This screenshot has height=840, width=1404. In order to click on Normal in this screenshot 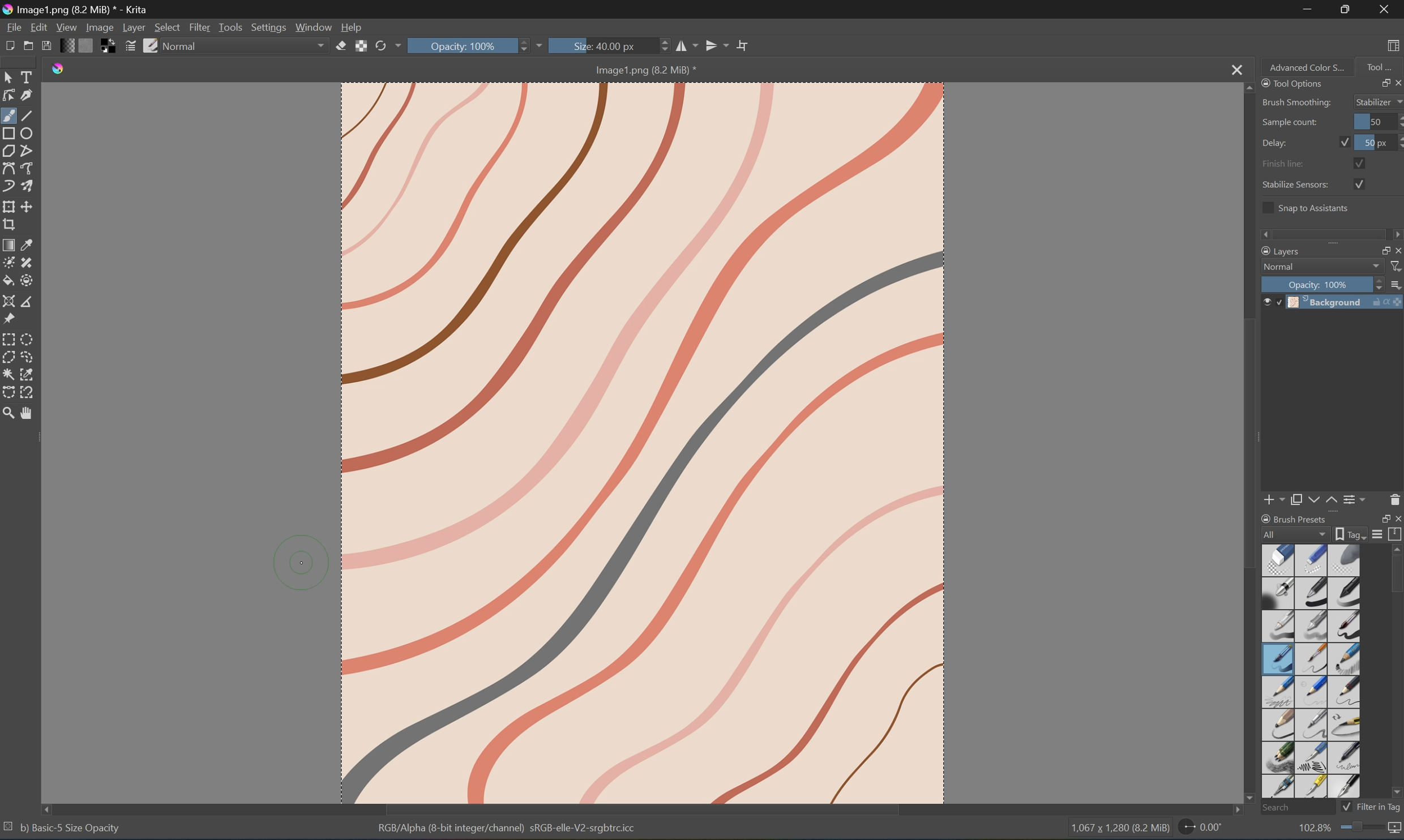, I will do `click(1279, 267)`.